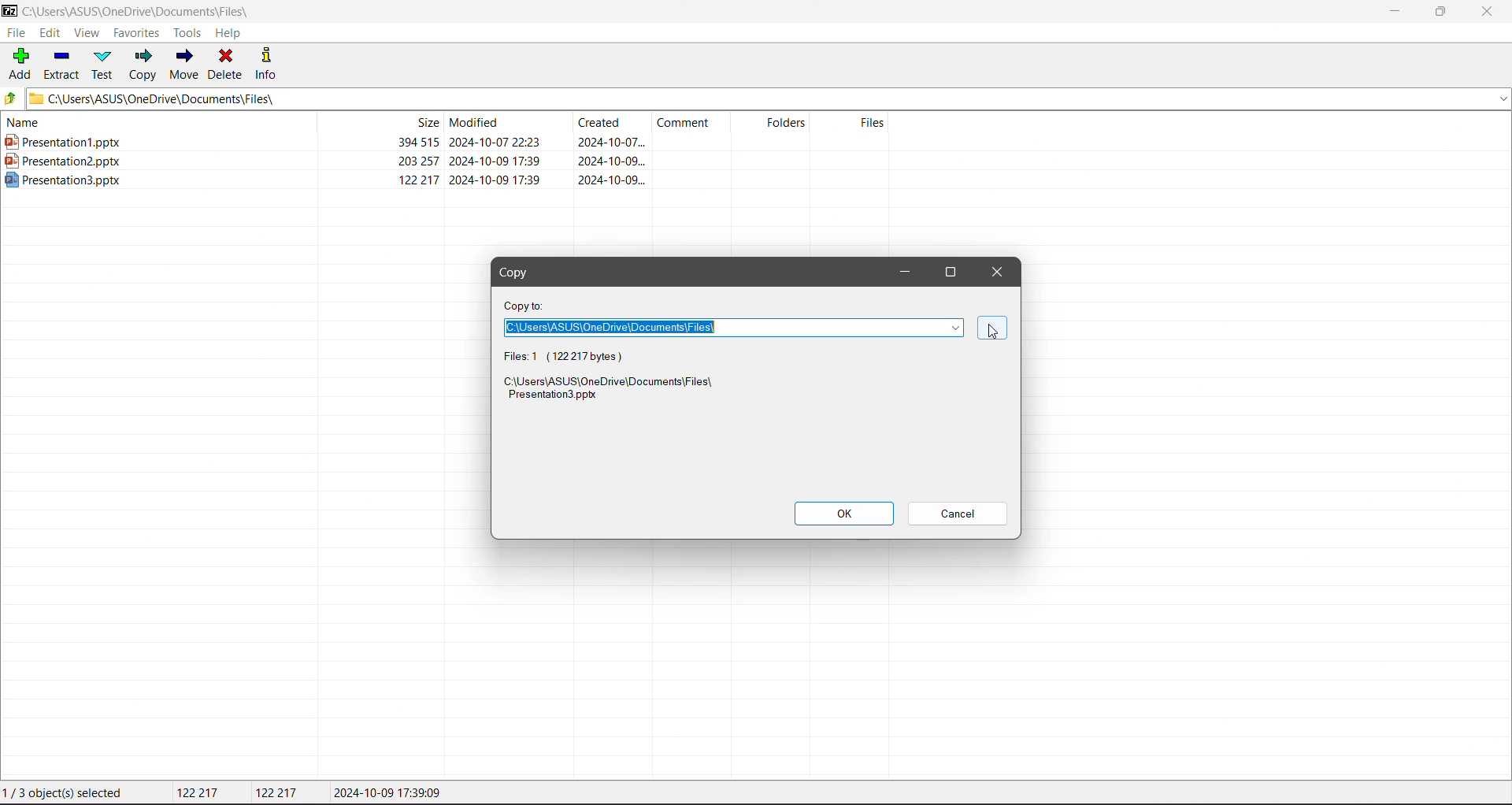 This screenshot has height=805, width=1512. Describe the element at coordinates (186, 33) in the screenshot. I see `Tools` at that location.